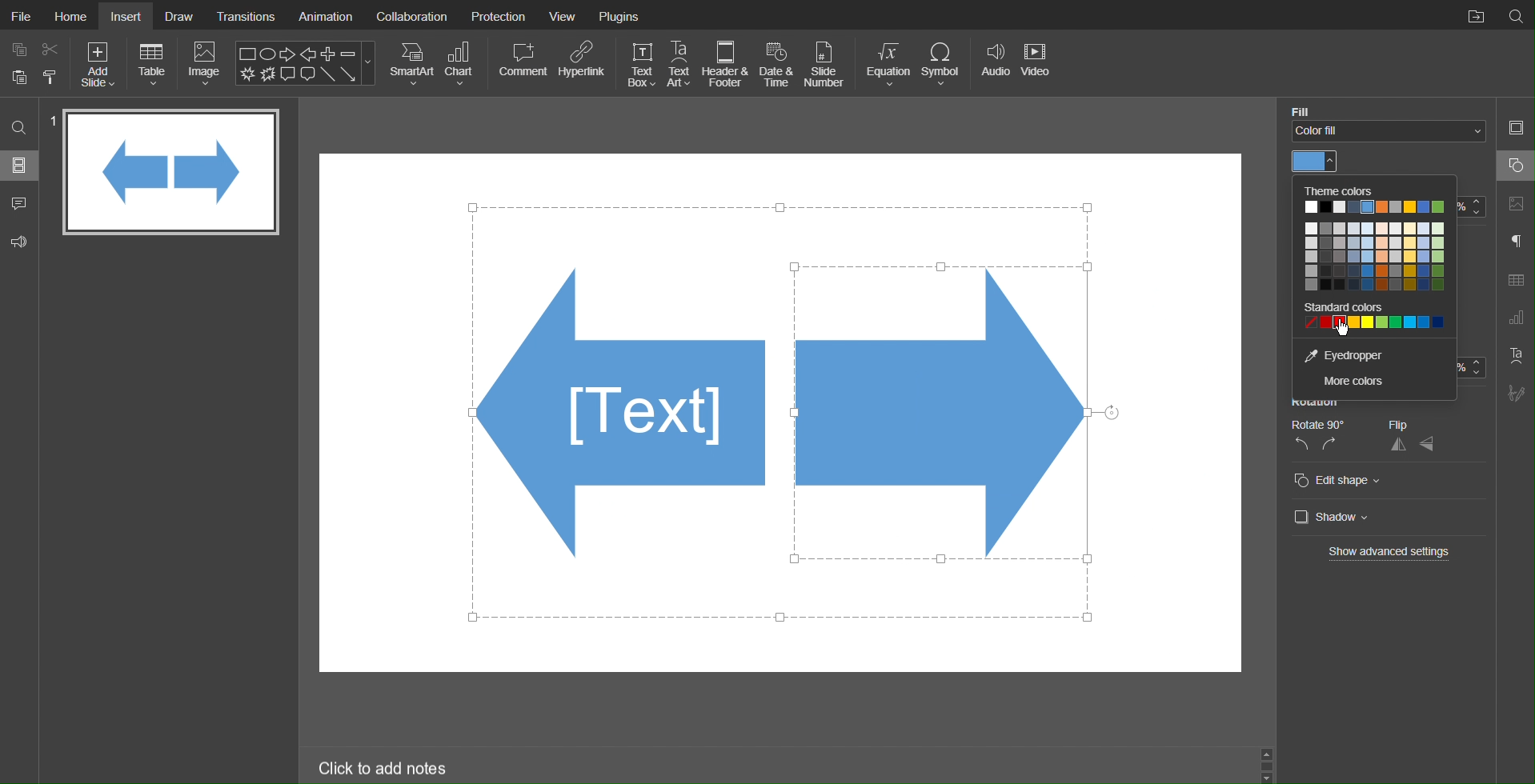 This screenshot has width=1535, height=784. What do you see at coordinates (306, 62) in the screenshot?
I see `Shape Menu` at bounding box center [306, 62].